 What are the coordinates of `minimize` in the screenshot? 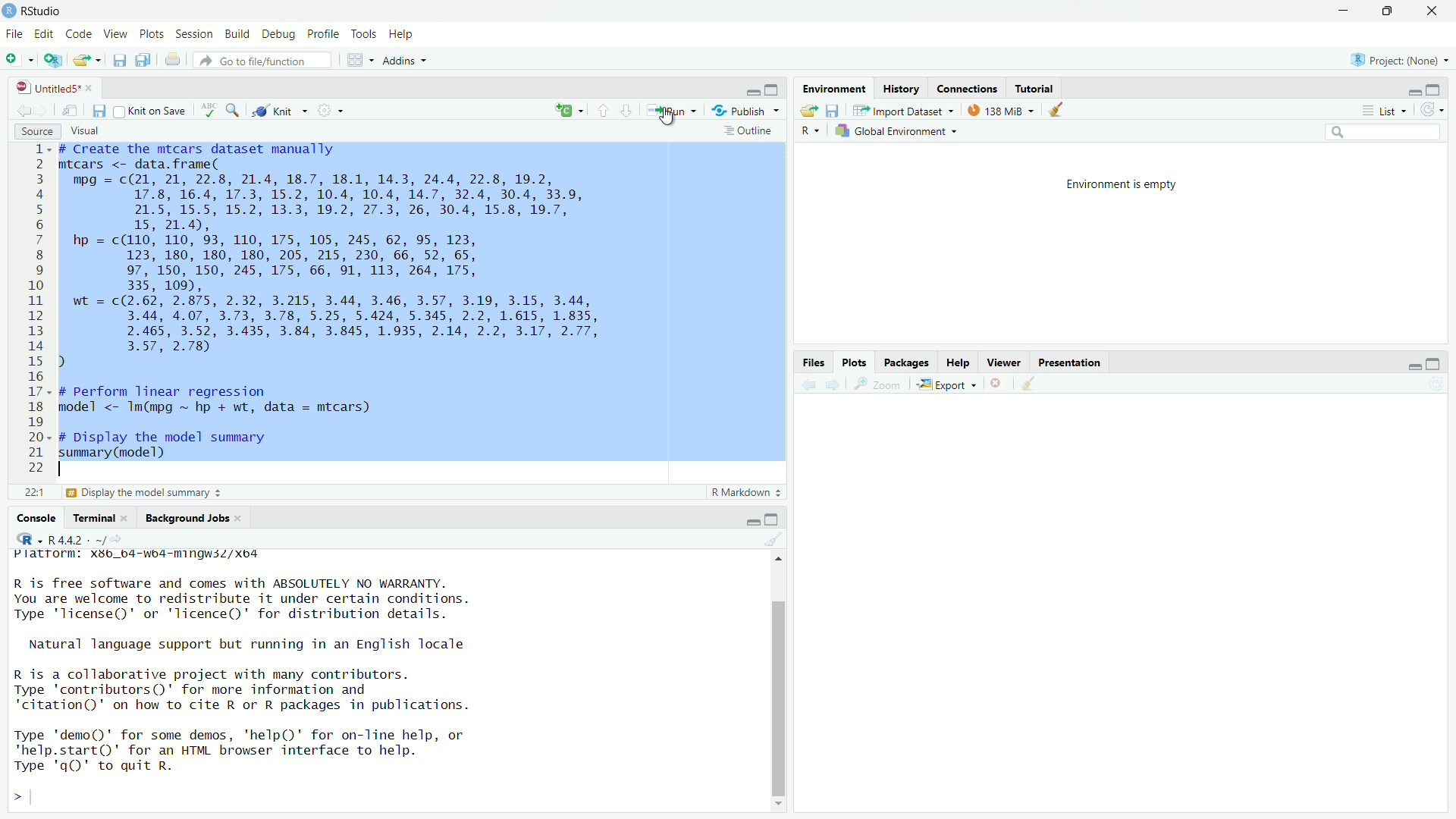 It's located at (752, 521).